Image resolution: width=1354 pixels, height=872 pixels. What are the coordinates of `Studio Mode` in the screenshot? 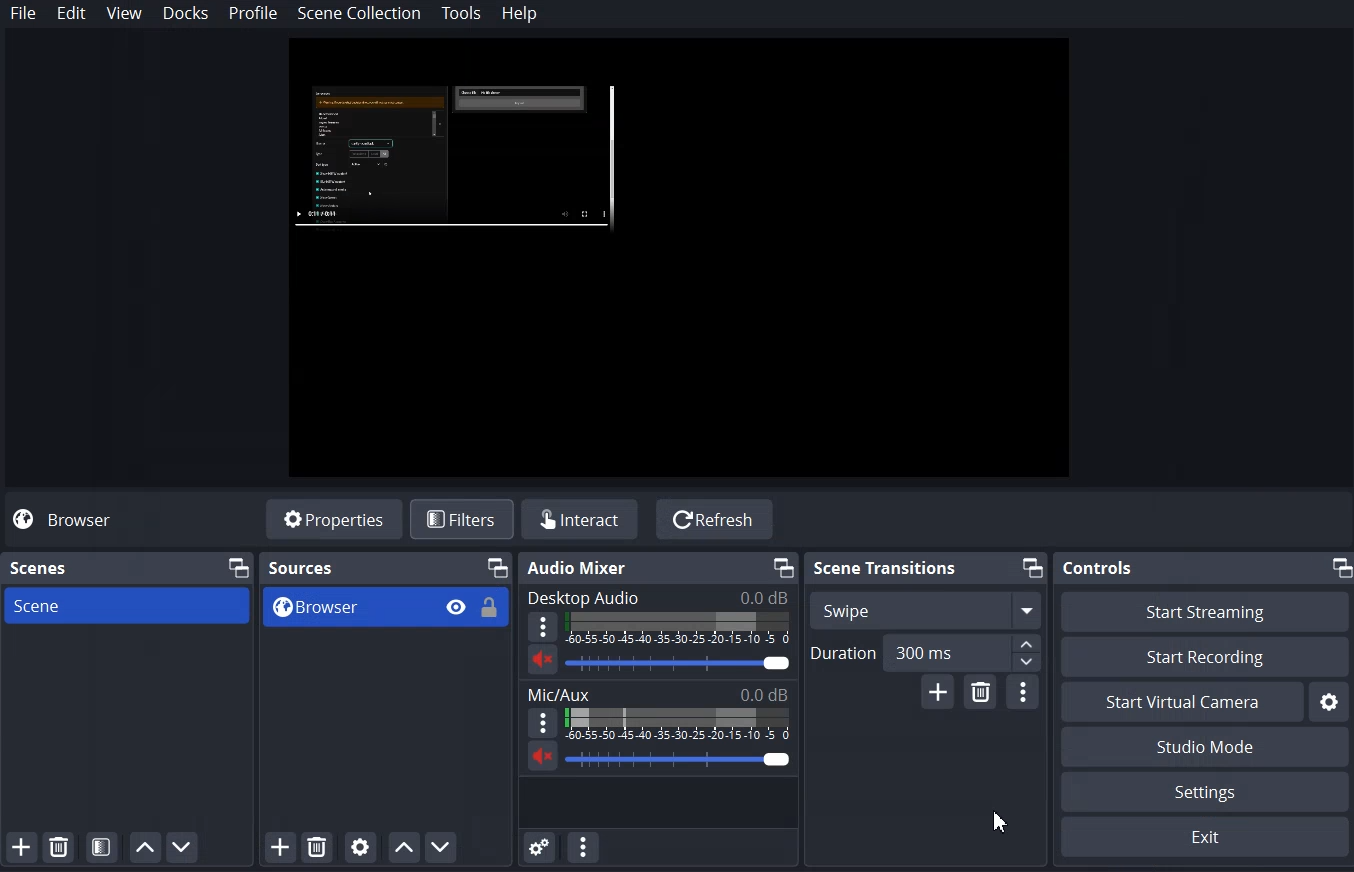 It's located at (1207, 748).